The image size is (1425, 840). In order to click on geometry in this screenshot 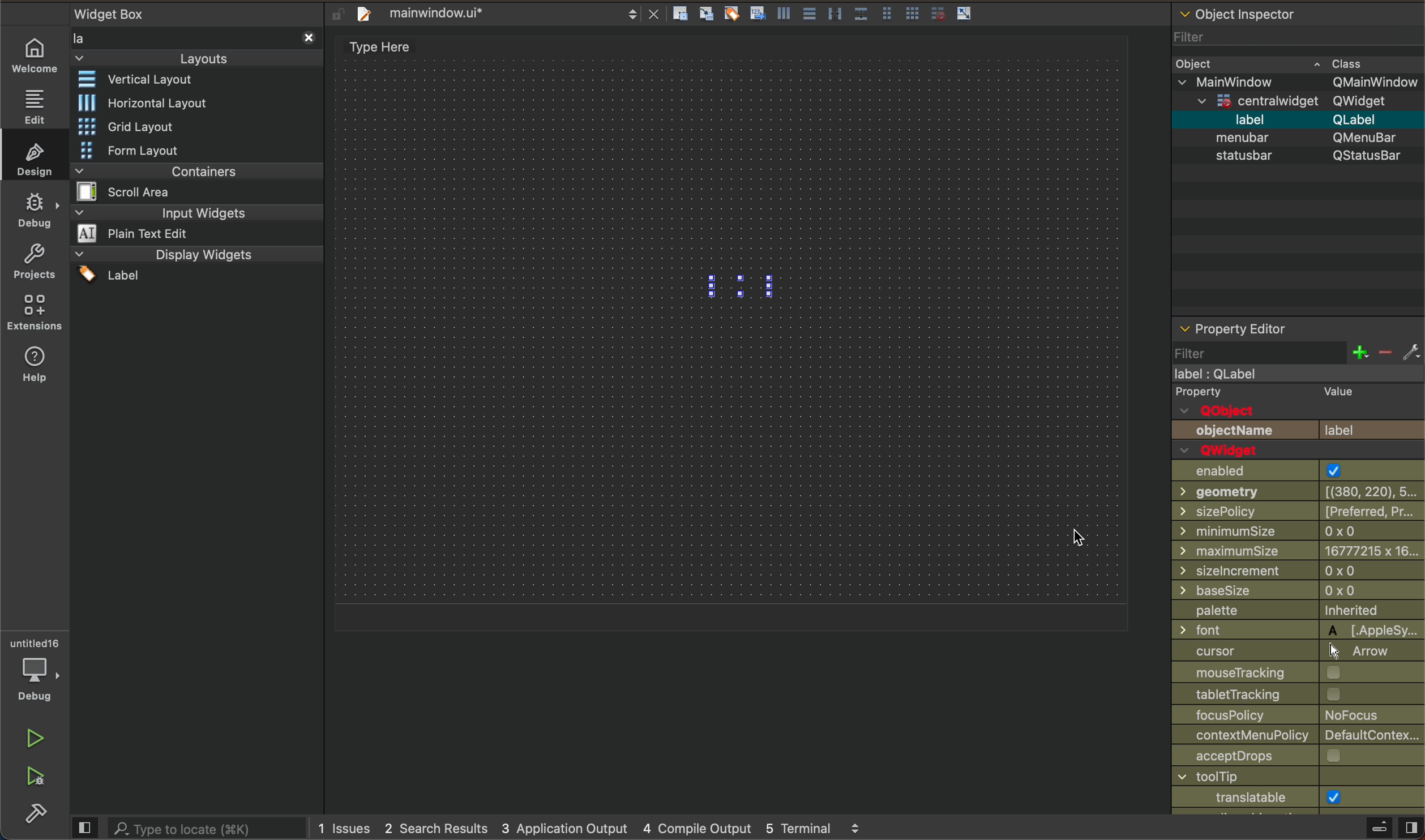, I will do `click(1295, 492)`.